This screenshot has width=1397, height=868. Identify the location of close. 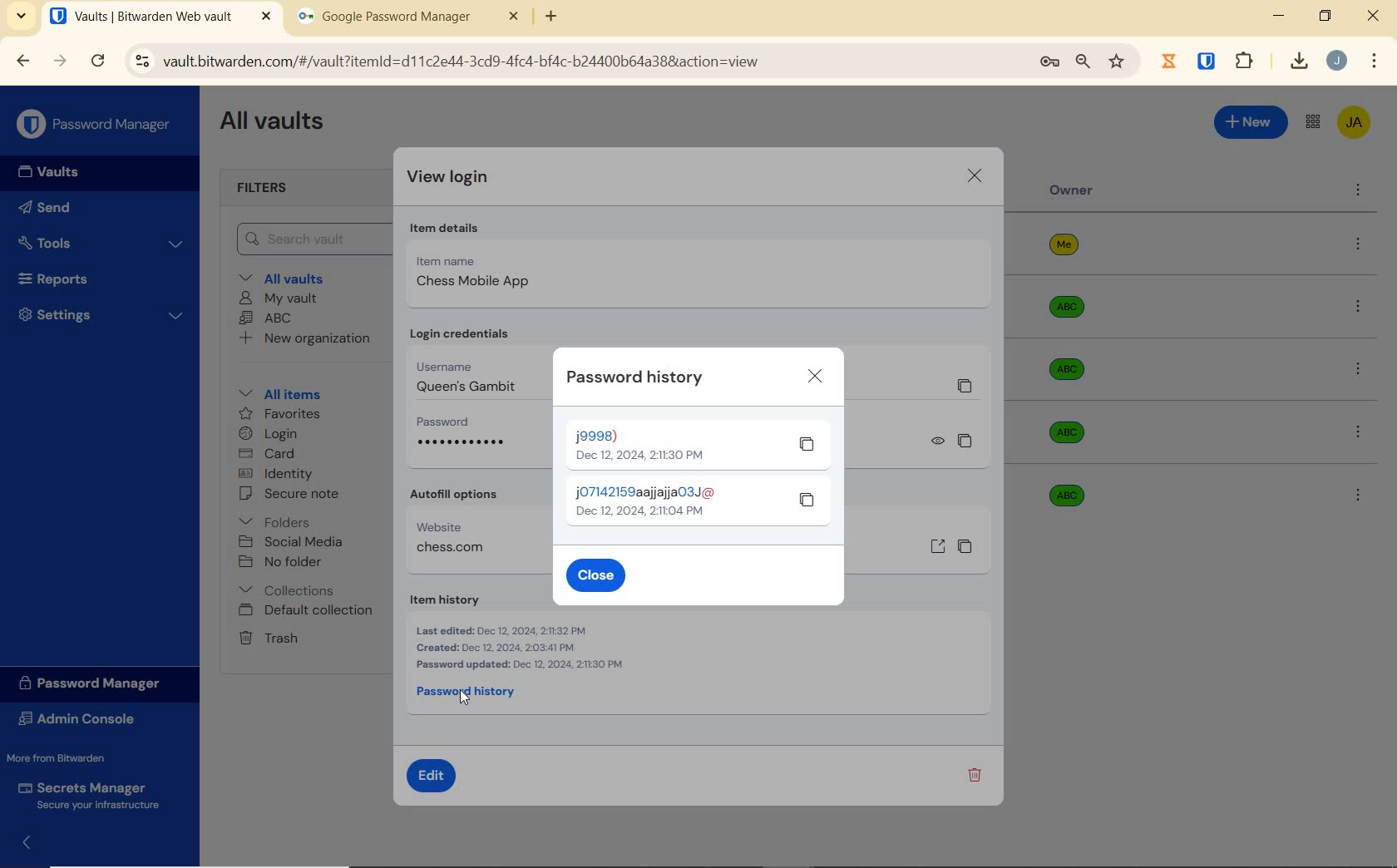
(975, 178).